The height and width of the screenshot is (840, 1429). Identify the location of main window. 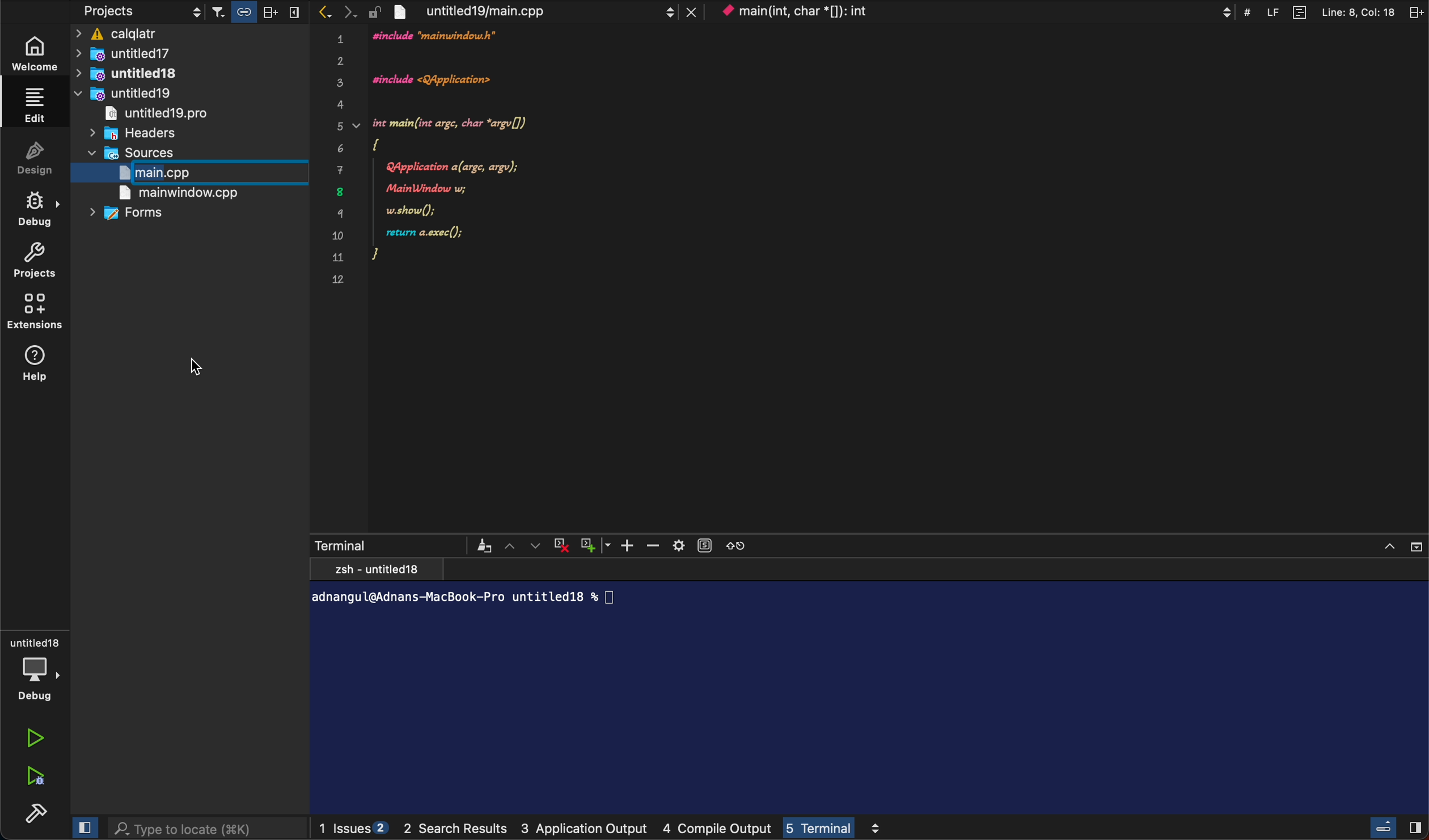
(174, 194).